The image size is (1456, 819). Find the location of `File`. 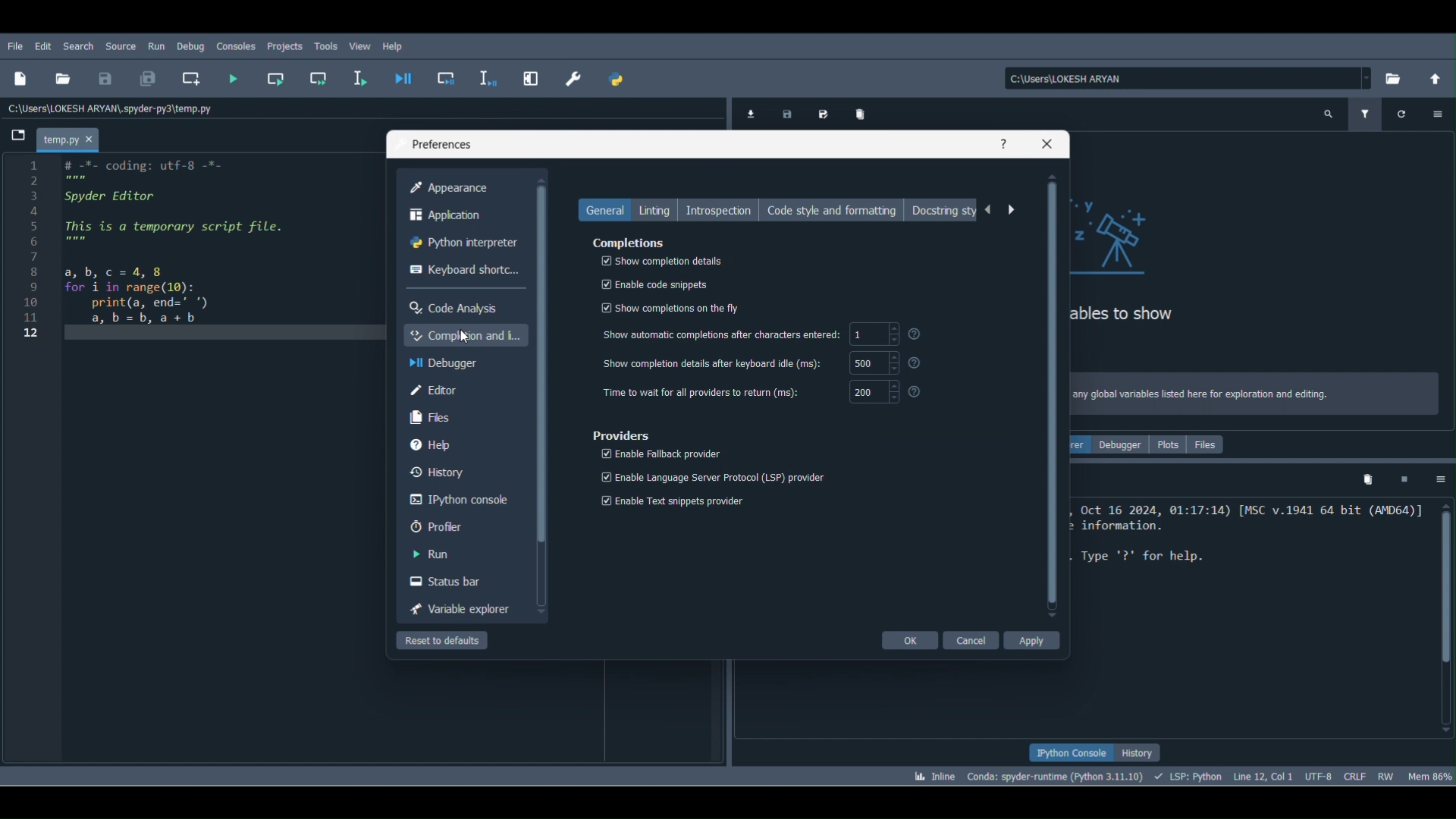

File is located at coordinates (17, 47).